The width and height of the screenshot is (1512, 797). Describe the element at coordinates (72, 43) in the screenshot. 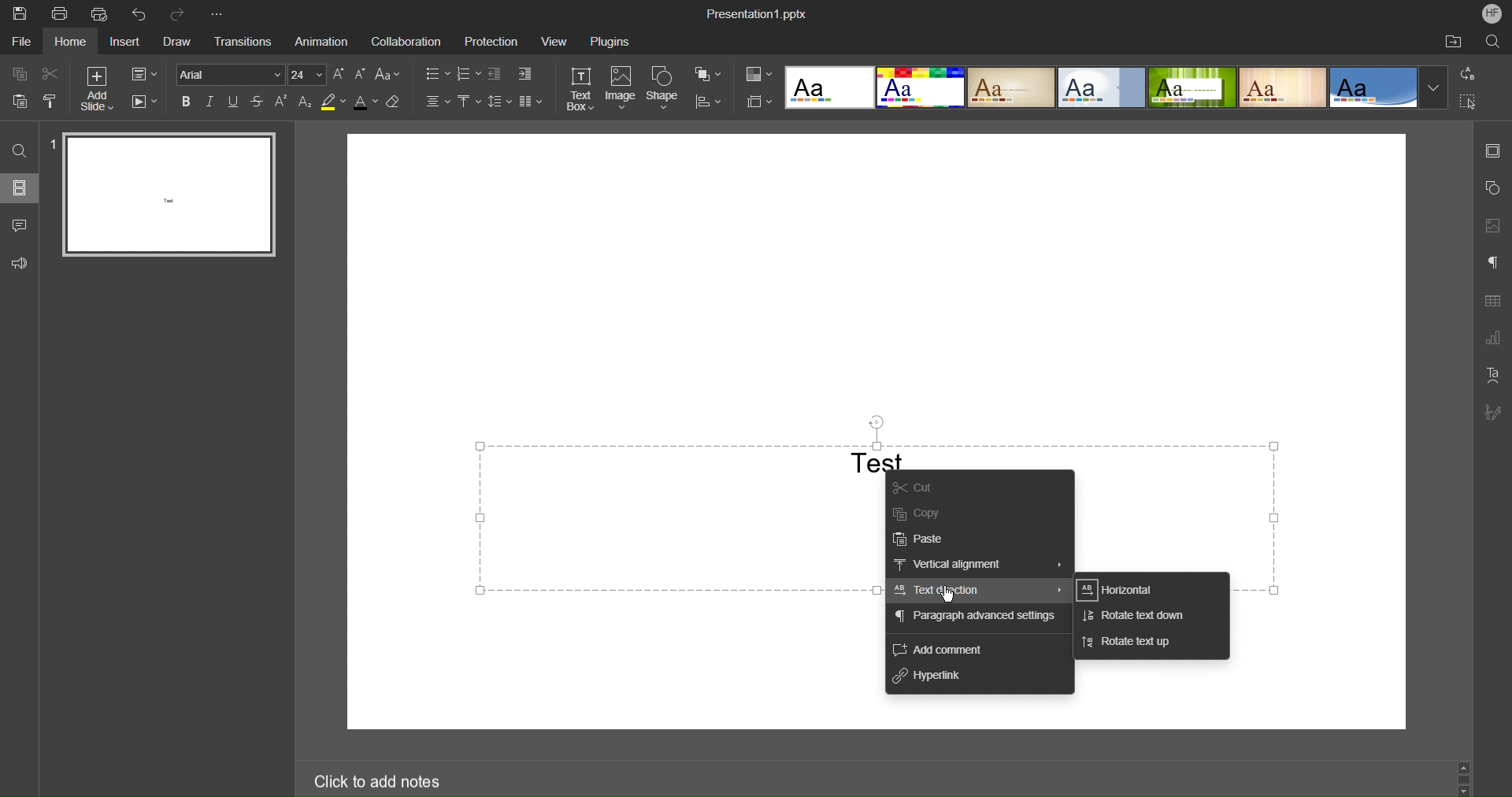

I see `Home` at that location.